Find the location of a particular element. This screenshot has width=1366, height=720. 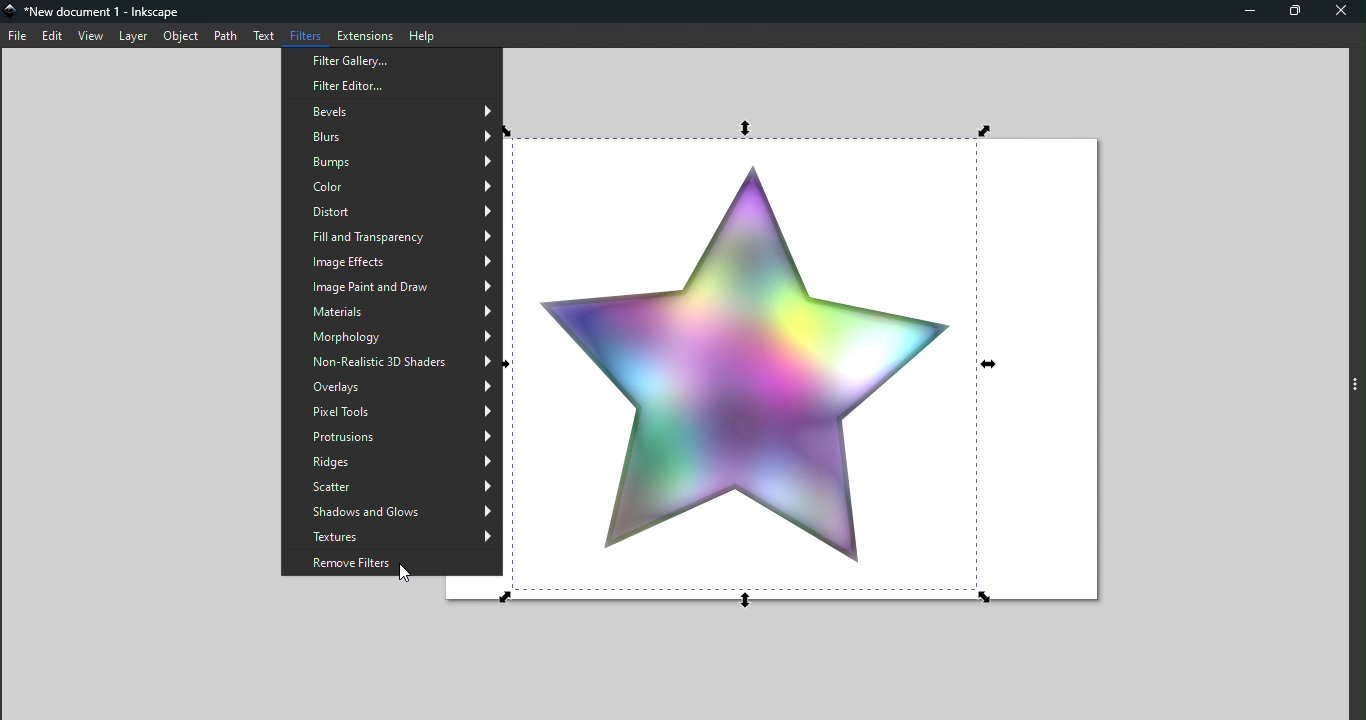

Image effects is located at coordinates (390, 265).